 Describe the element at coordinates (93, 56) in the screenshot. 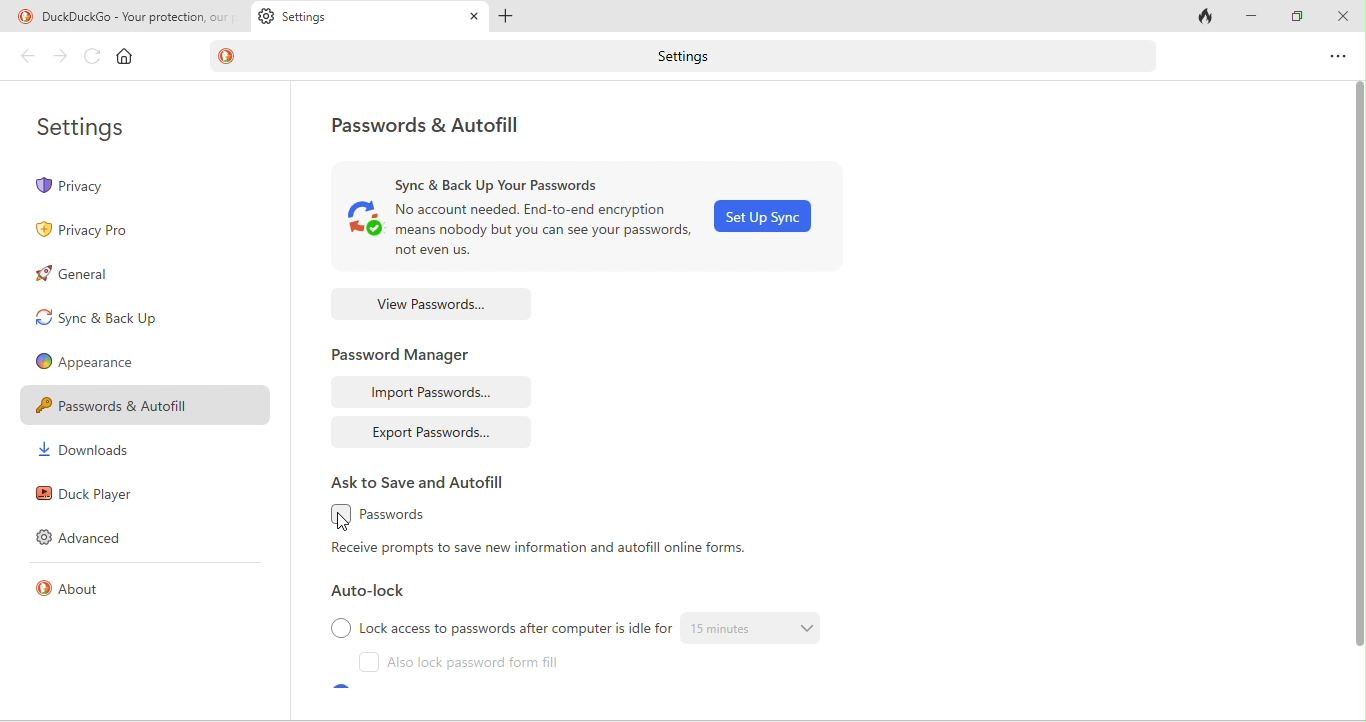

I see `refresh` at that location.